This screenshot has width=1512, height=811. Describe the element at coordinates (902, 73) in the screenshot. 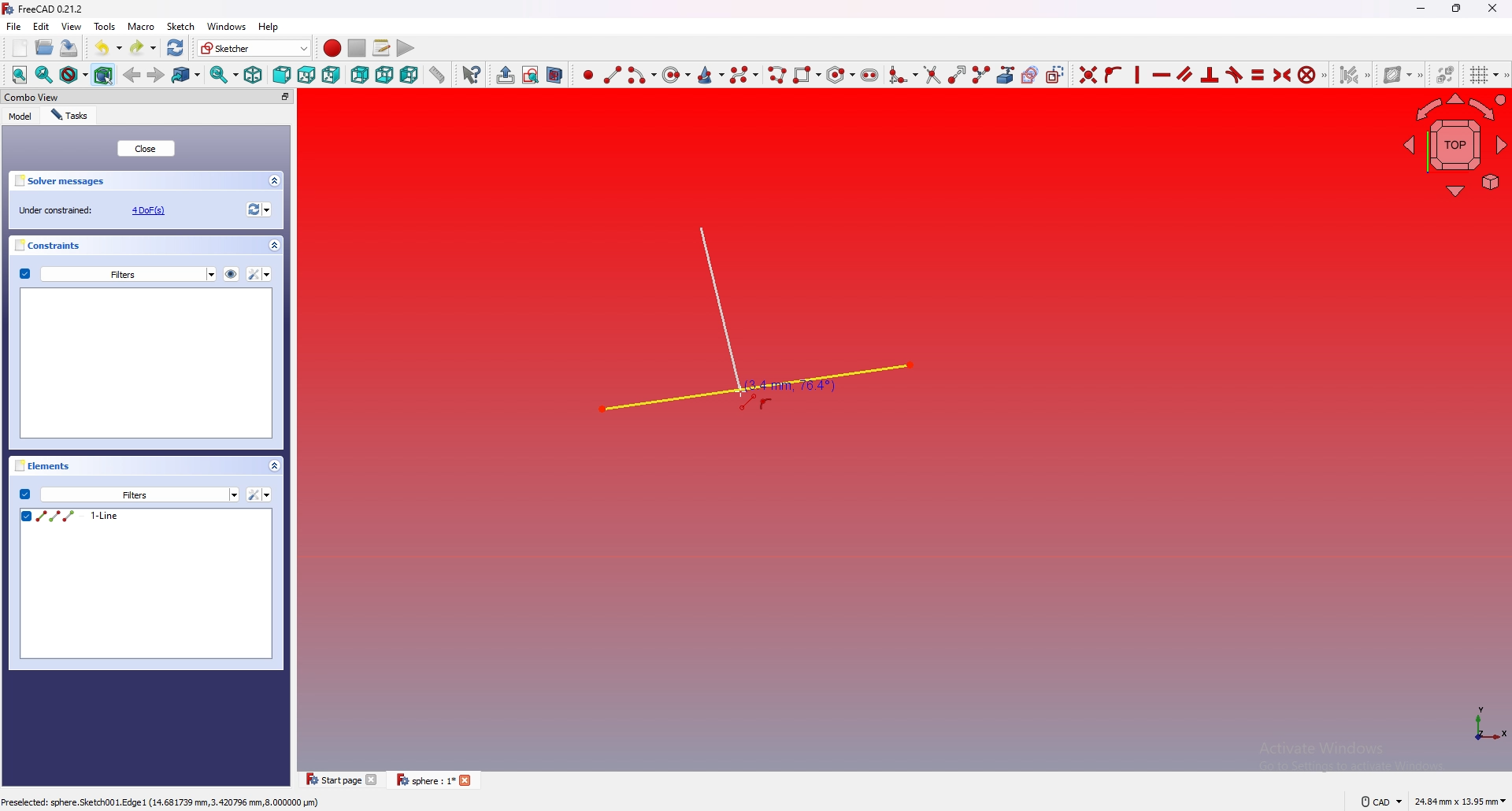

I see `Create fillet` at that location.